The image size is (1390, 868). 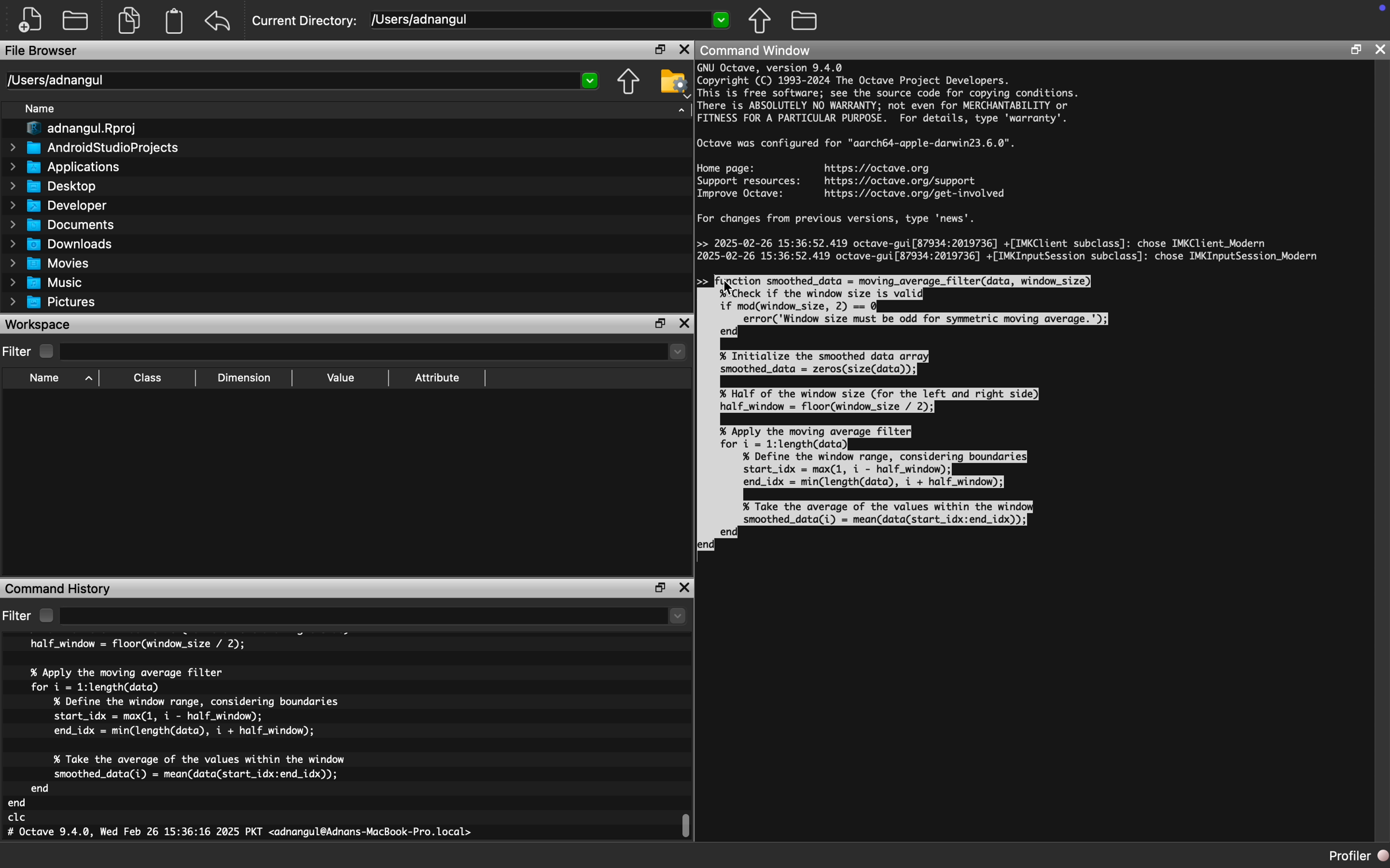 I want to click on Parent Directory, so click(x=761, y=22).